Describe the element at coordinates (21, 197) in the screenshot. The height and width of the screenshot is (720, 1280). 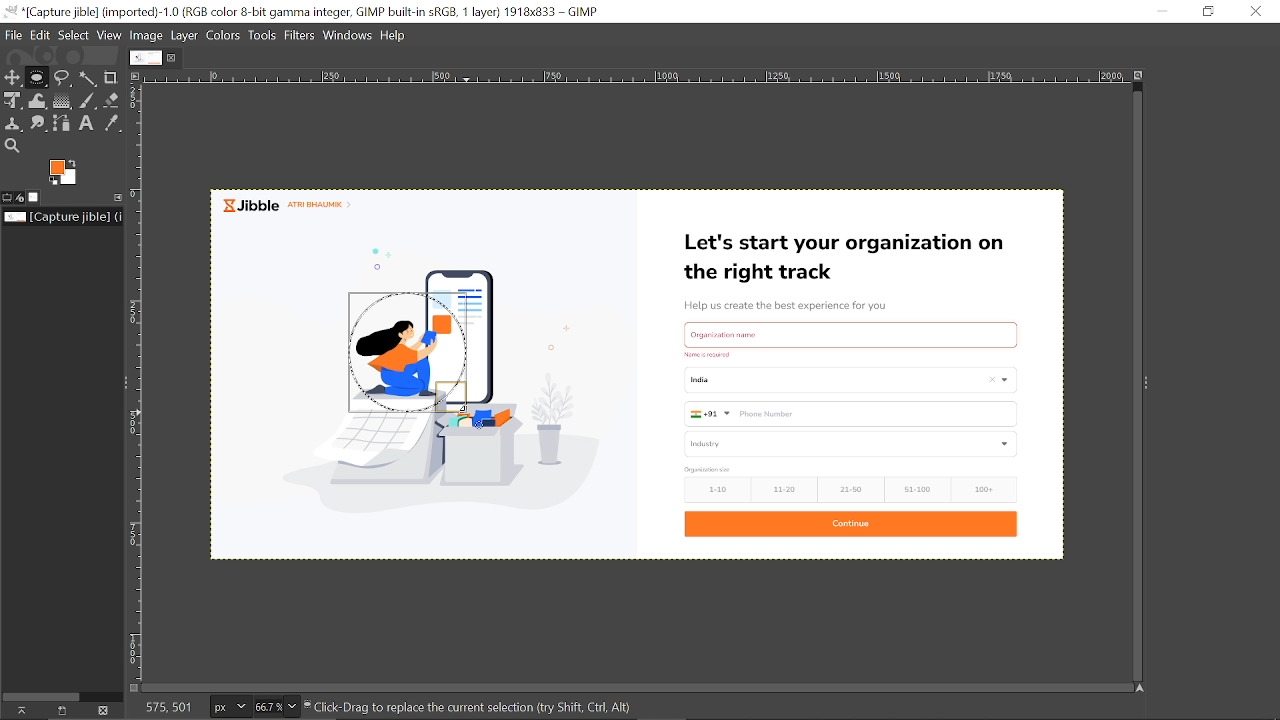
I see `Device status` at that location.